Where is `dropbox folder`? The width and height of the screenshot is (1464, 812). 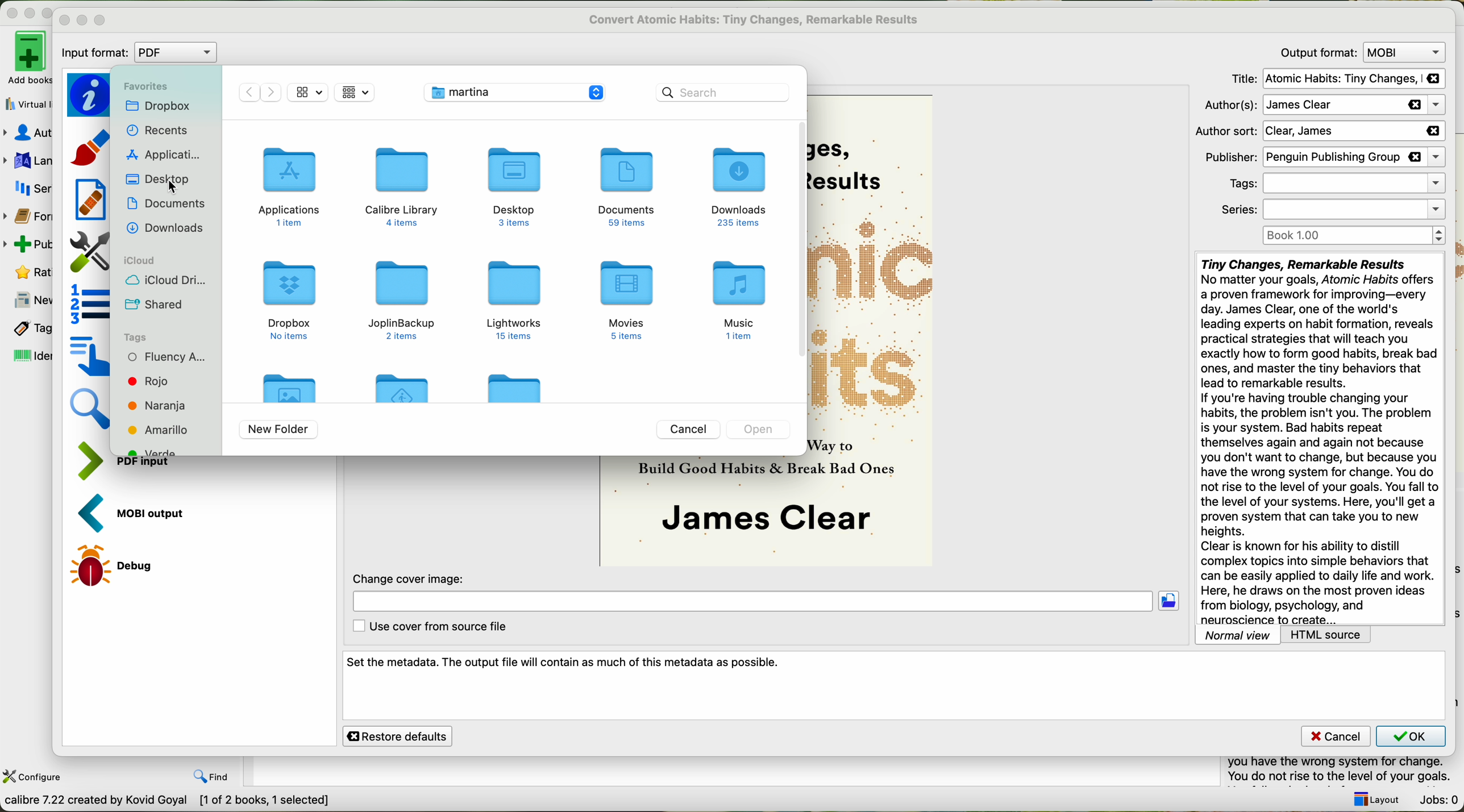
dropbox folder is located at coordinates (289, 299).